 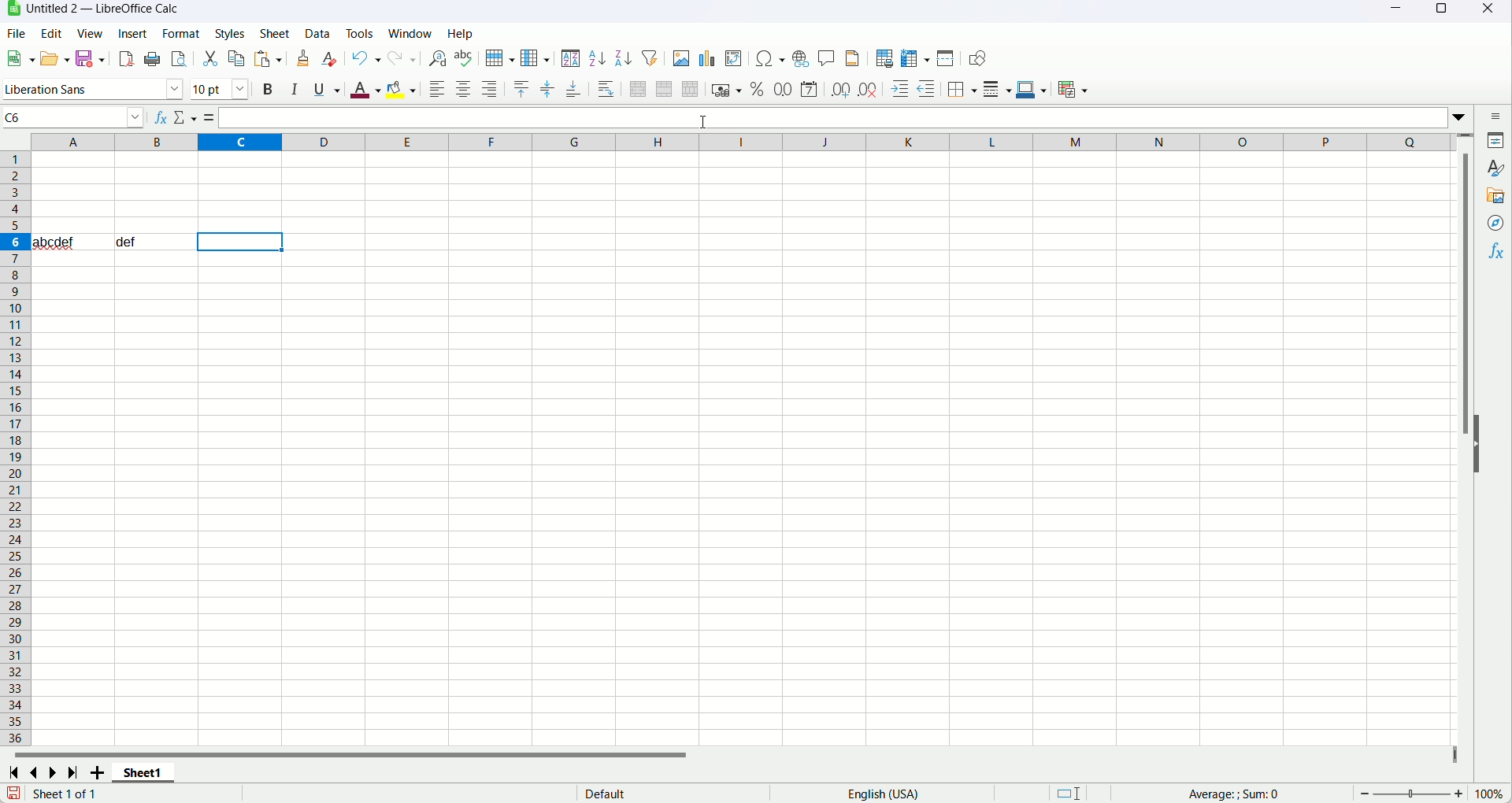 What do you see at coordinates (947, 57) in the screenshot?
I see `split window` at bounding box center [947, 57].